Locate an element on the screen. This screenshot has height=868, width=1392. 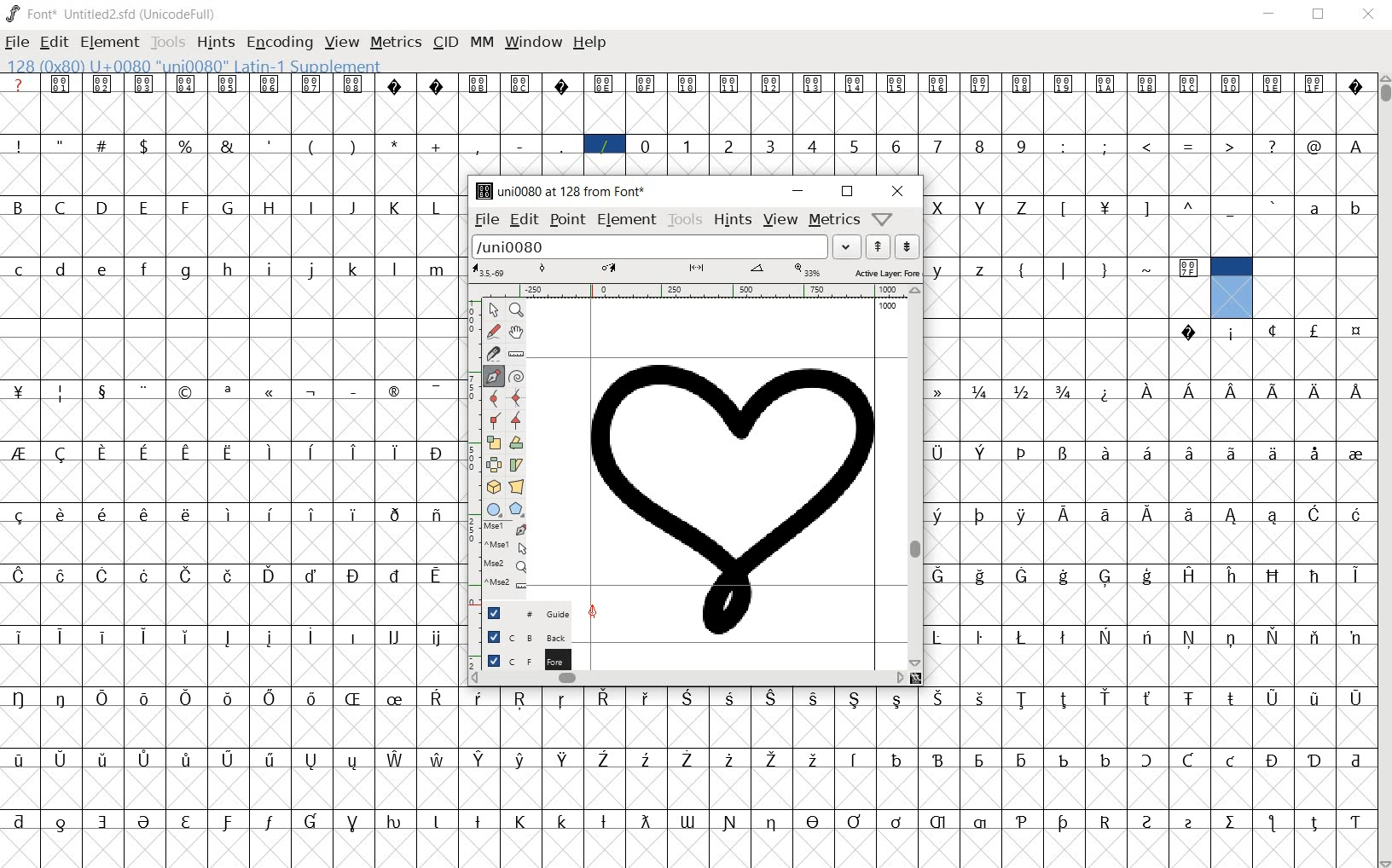
glyph is located at coordinates (394, 85).